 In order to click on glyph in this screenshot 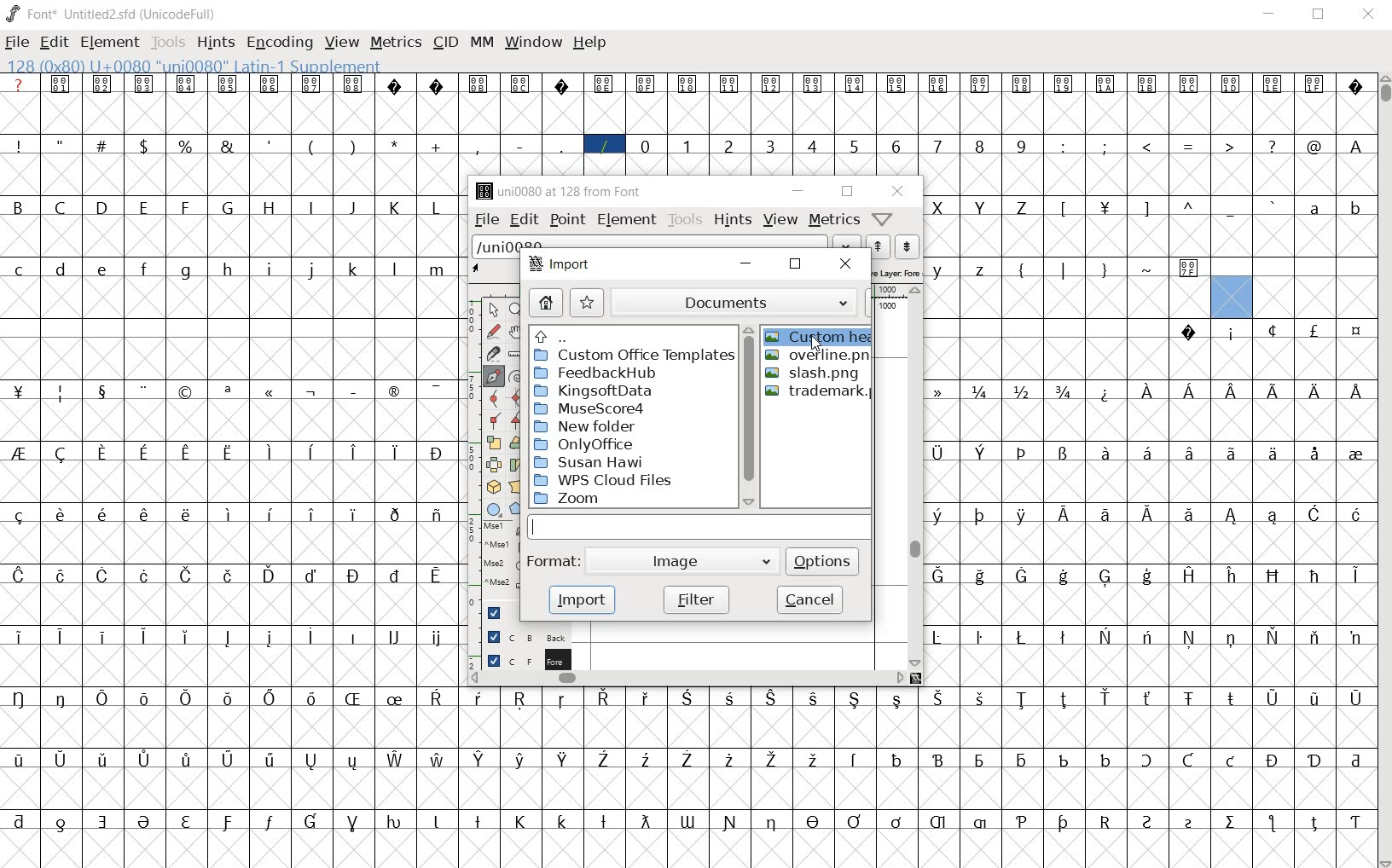, I will do `click(1232, 335)`.